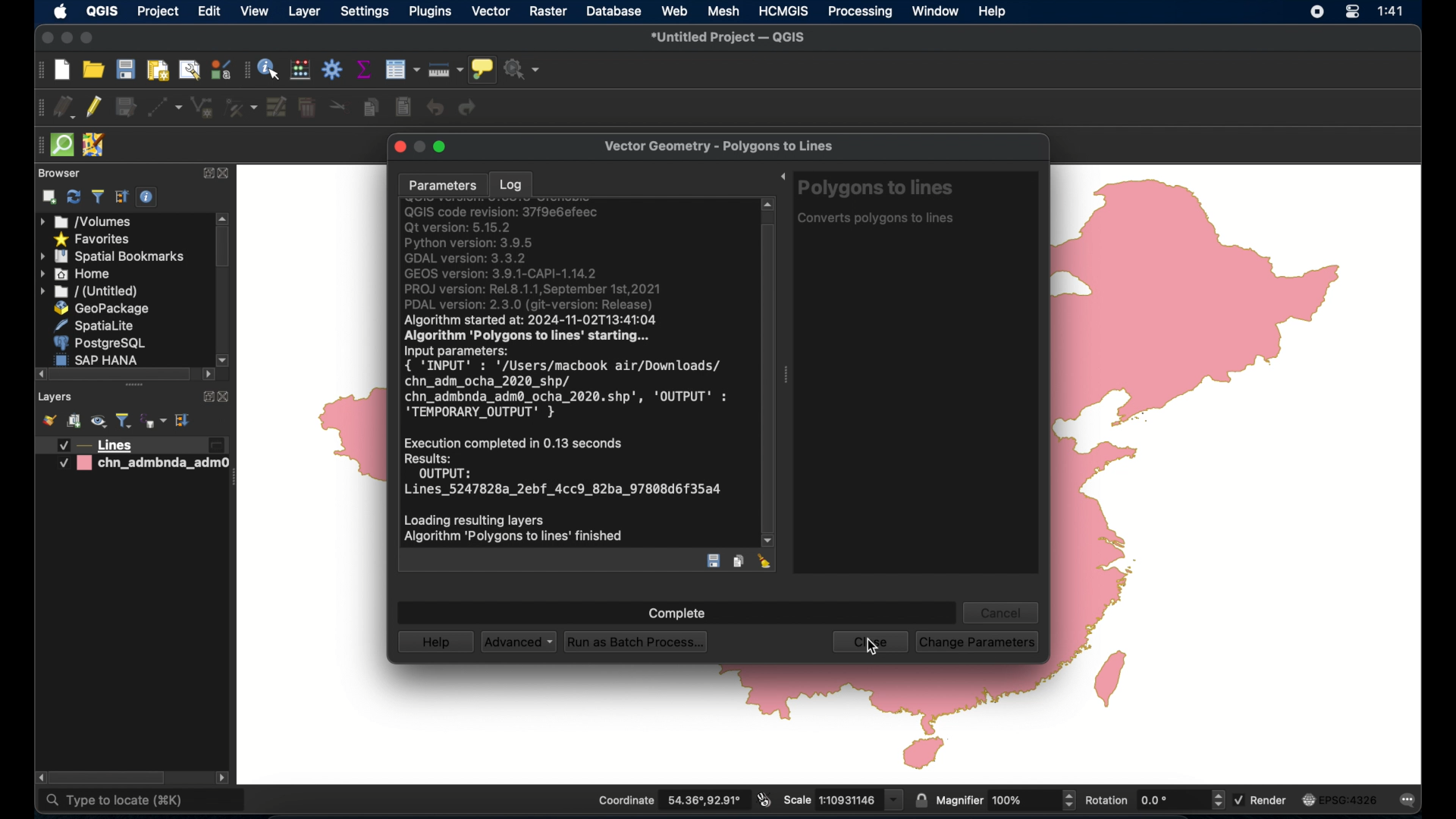  Describe the element at coordinates (96, 196) in the screenshot. I see `filter bowser` at that location.